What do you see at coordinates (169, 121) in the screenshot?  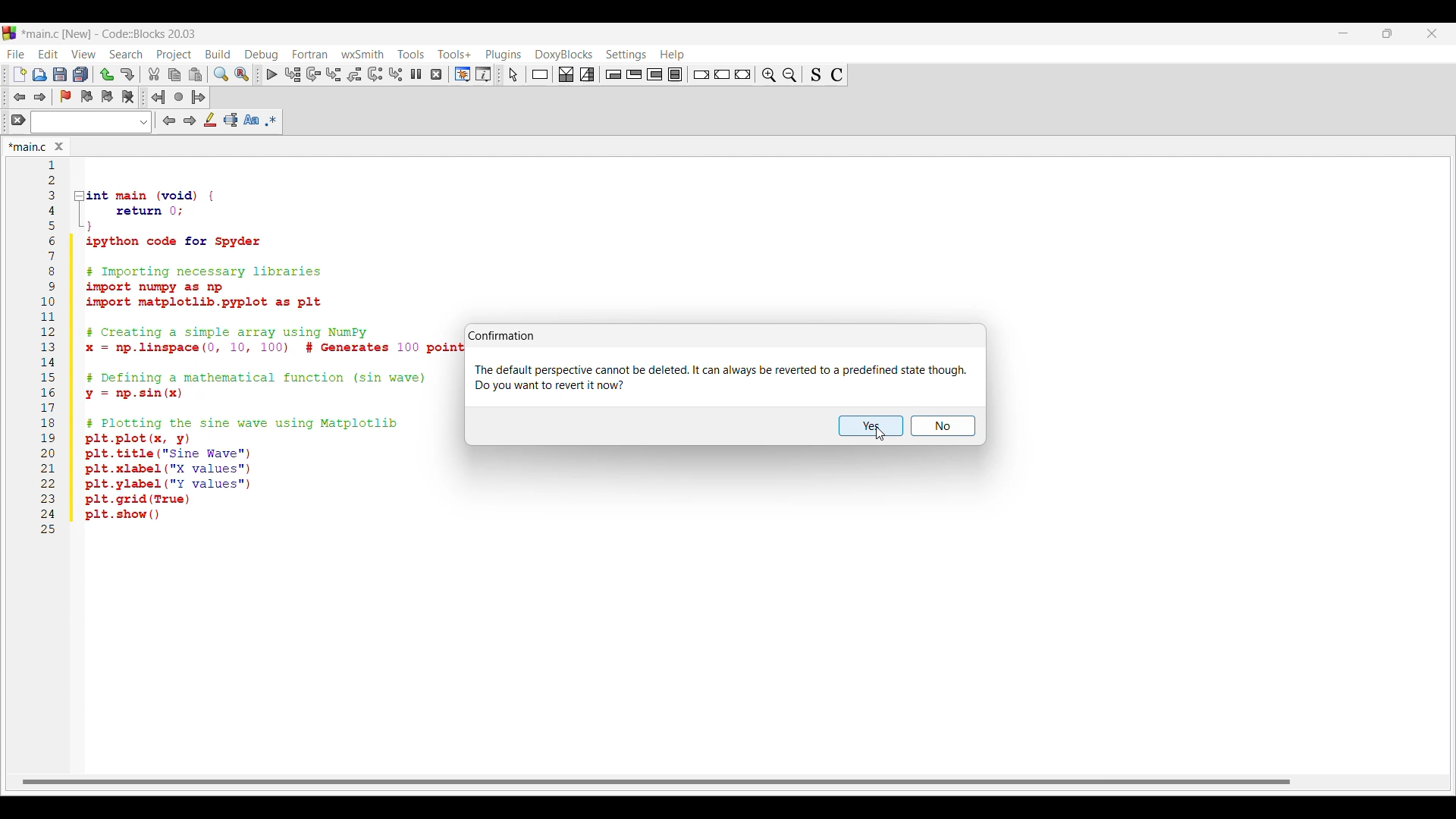 I see `Previous` at bounding box center [169, 121].